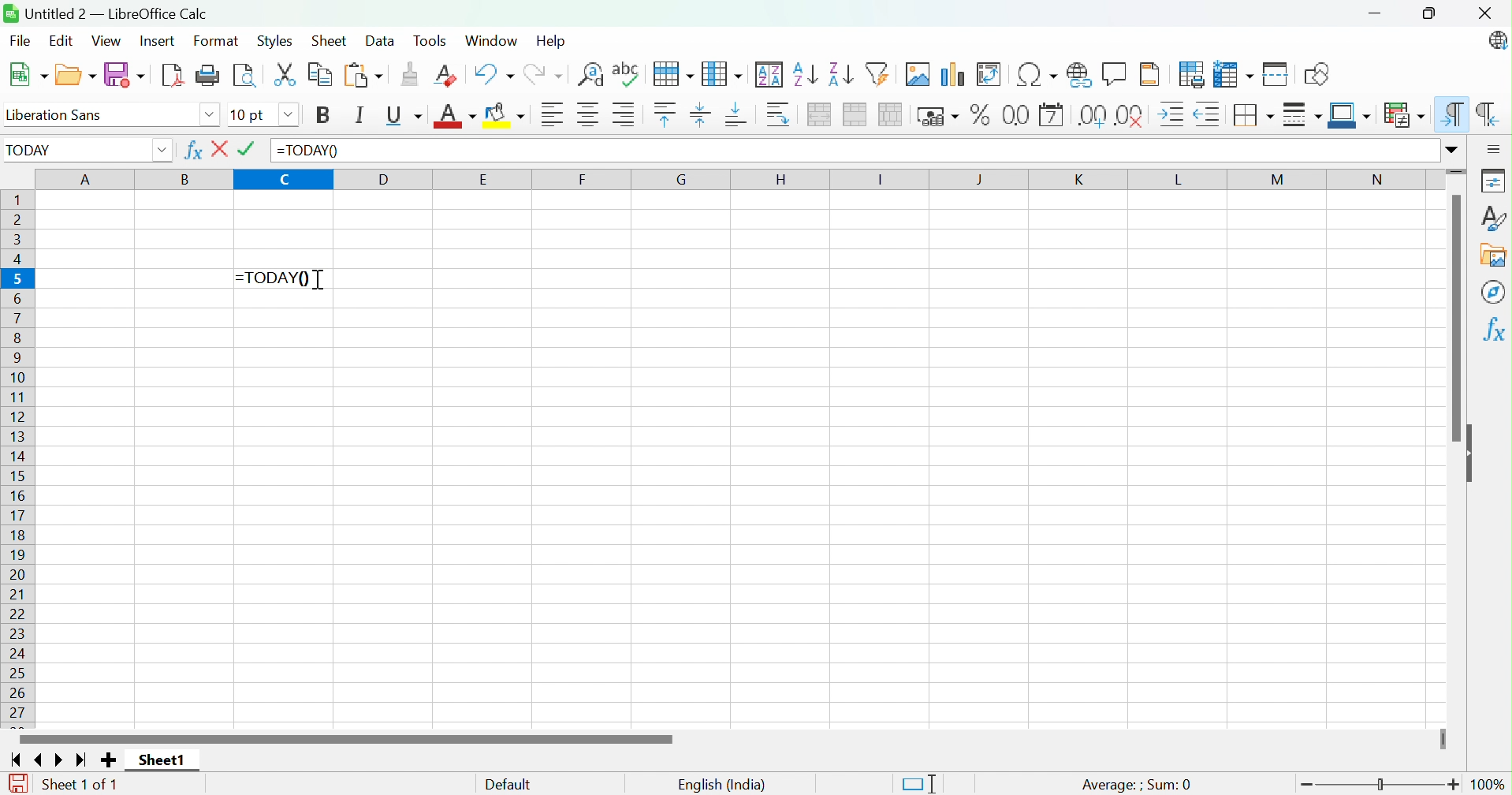 Image resolution: width=1512 pixels, height=795 pixels. Describe the element at coordinates (165, 759) in the screenshot. I see `Sheet1` at that location.